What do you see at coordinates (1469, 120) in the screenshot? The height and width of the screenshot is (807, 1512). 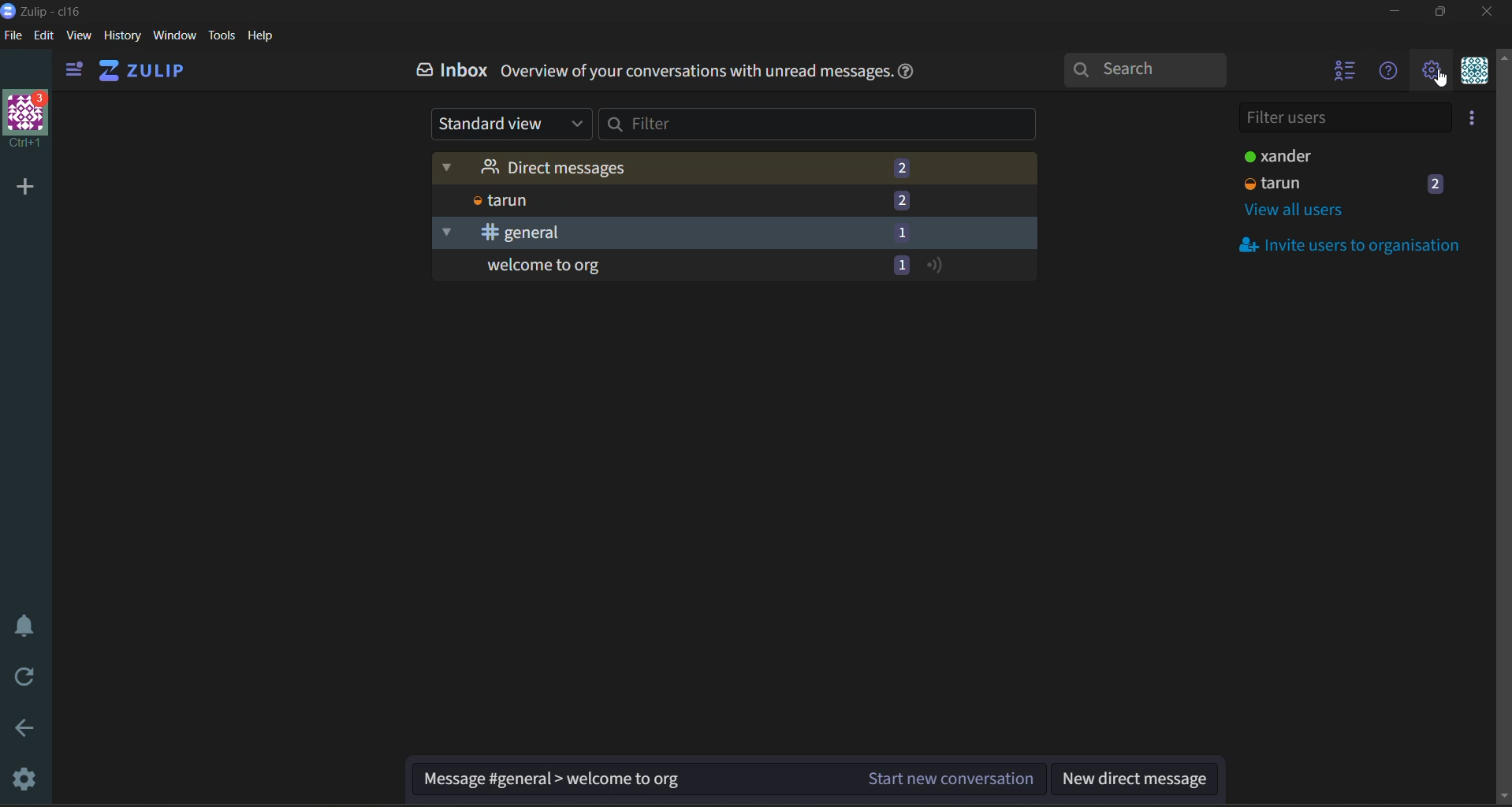 I see `invite users to organisation` at bounding box center [1469, 120].